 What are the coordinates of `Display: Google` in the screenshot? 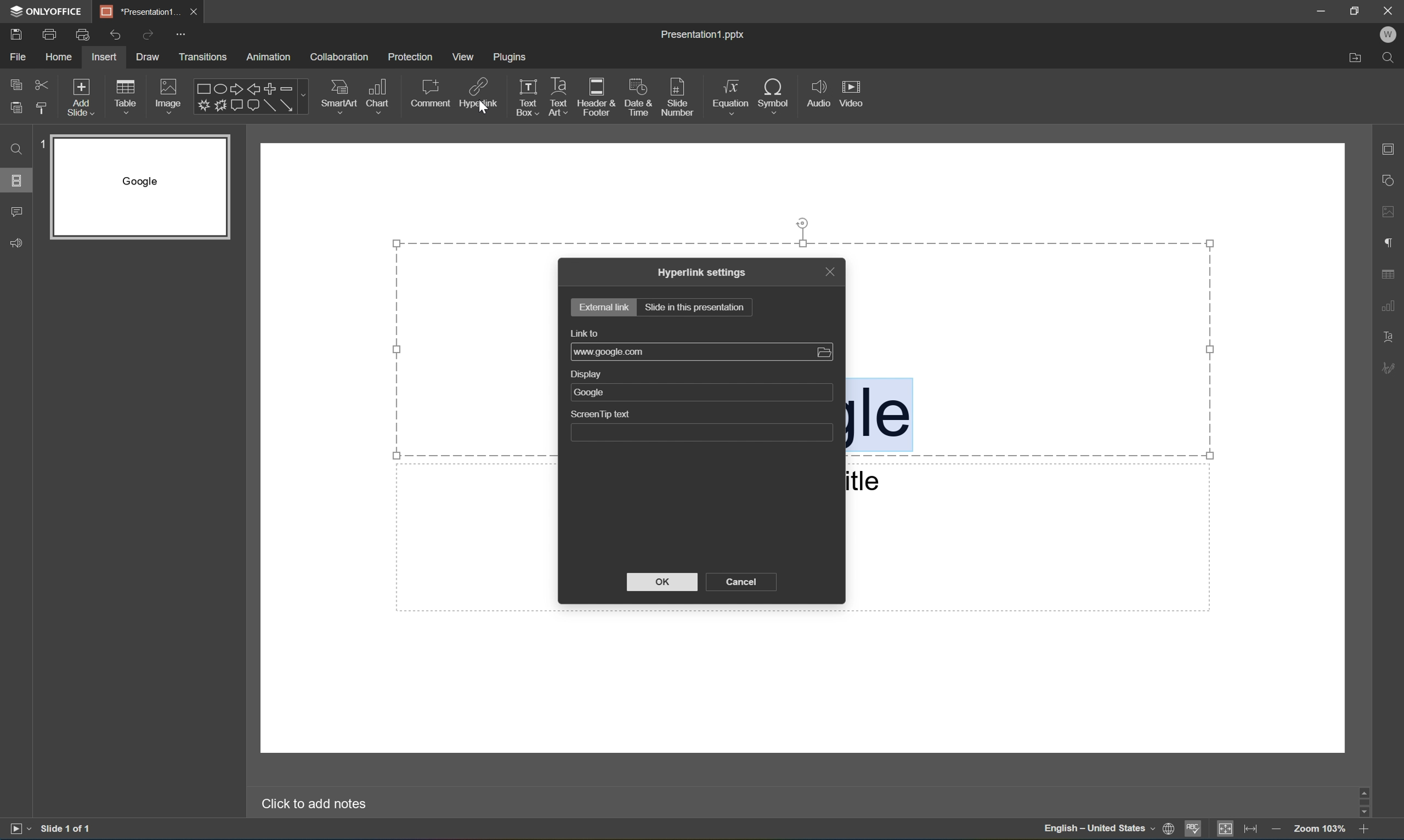 It's located at (700, 385).